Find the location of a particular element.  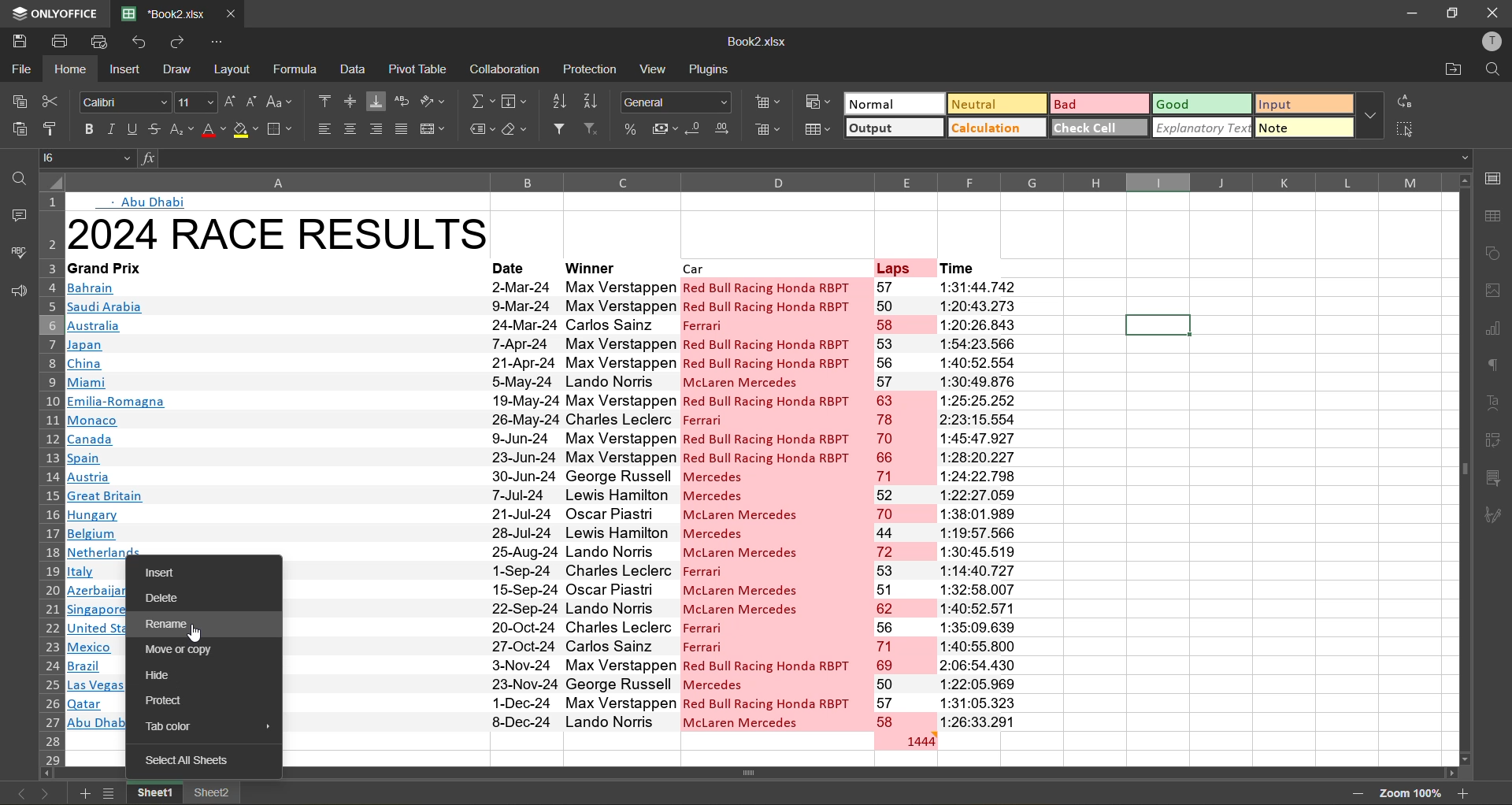

decrement size is located at coordinates (254, 105).